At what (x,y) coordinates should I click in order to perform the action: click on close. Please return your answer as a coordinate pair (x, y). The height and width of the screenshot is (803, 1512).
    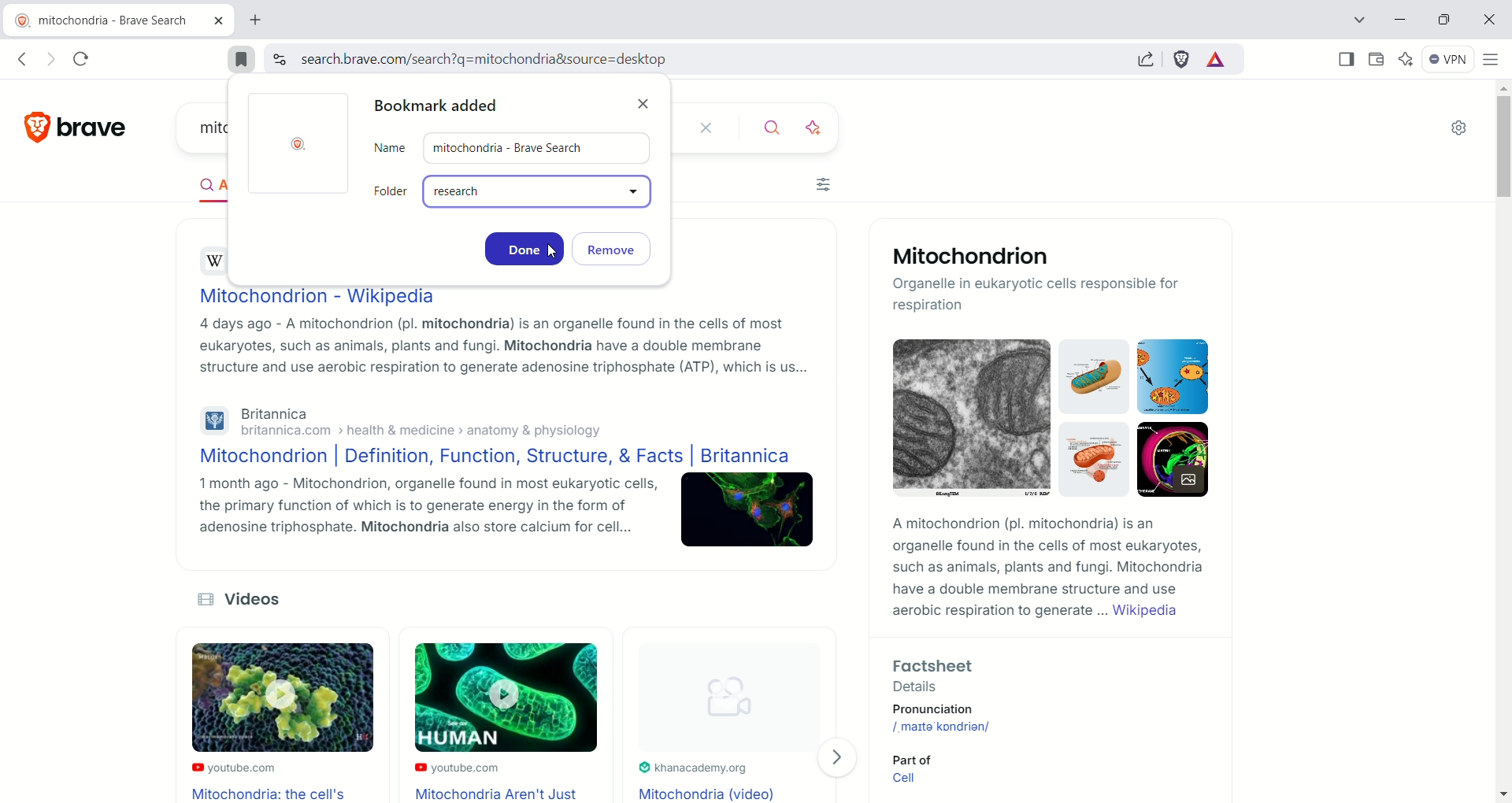
    Looking at the image, I should click on (647, 99).